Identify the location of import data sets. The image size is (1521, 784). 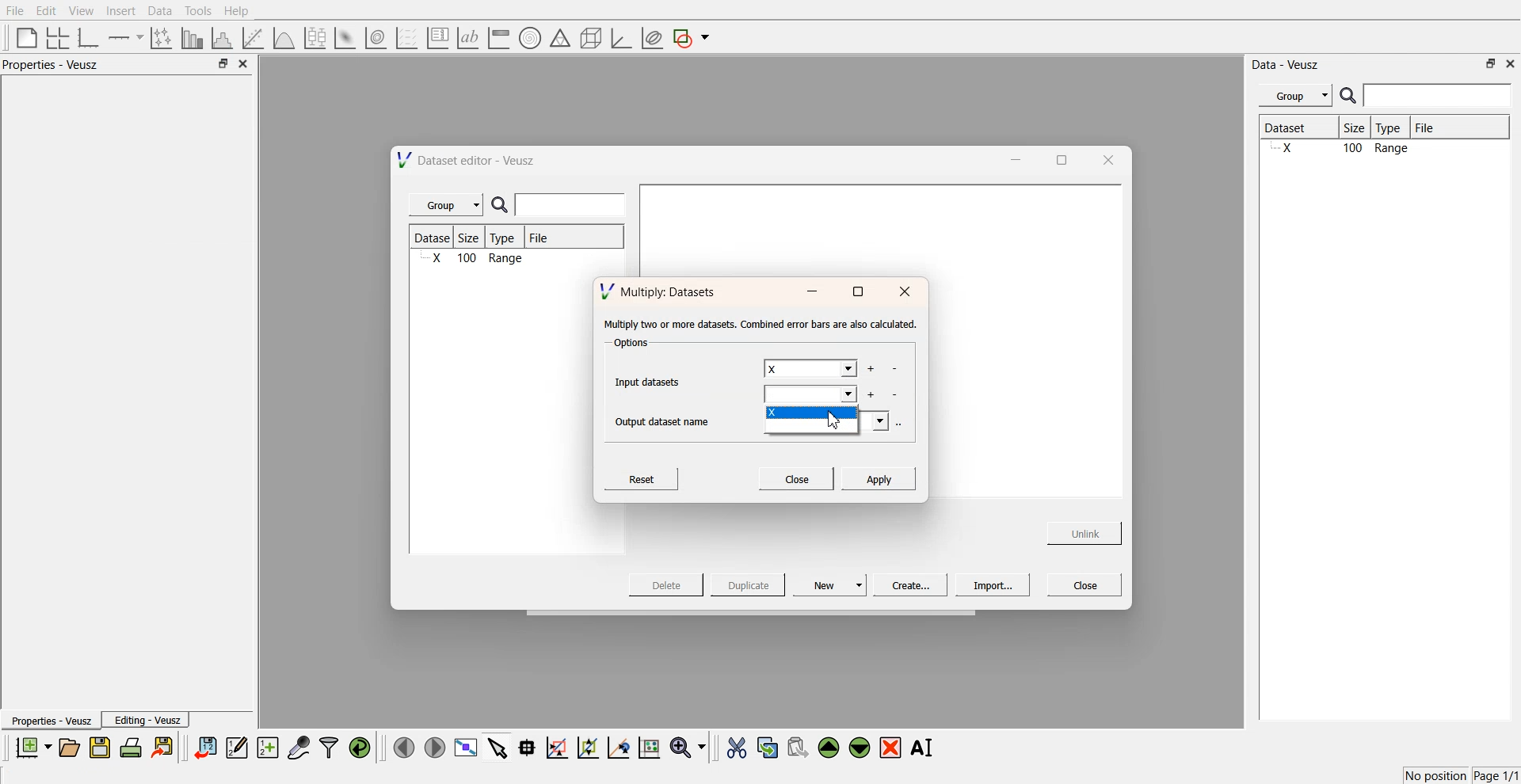
(204, 748).